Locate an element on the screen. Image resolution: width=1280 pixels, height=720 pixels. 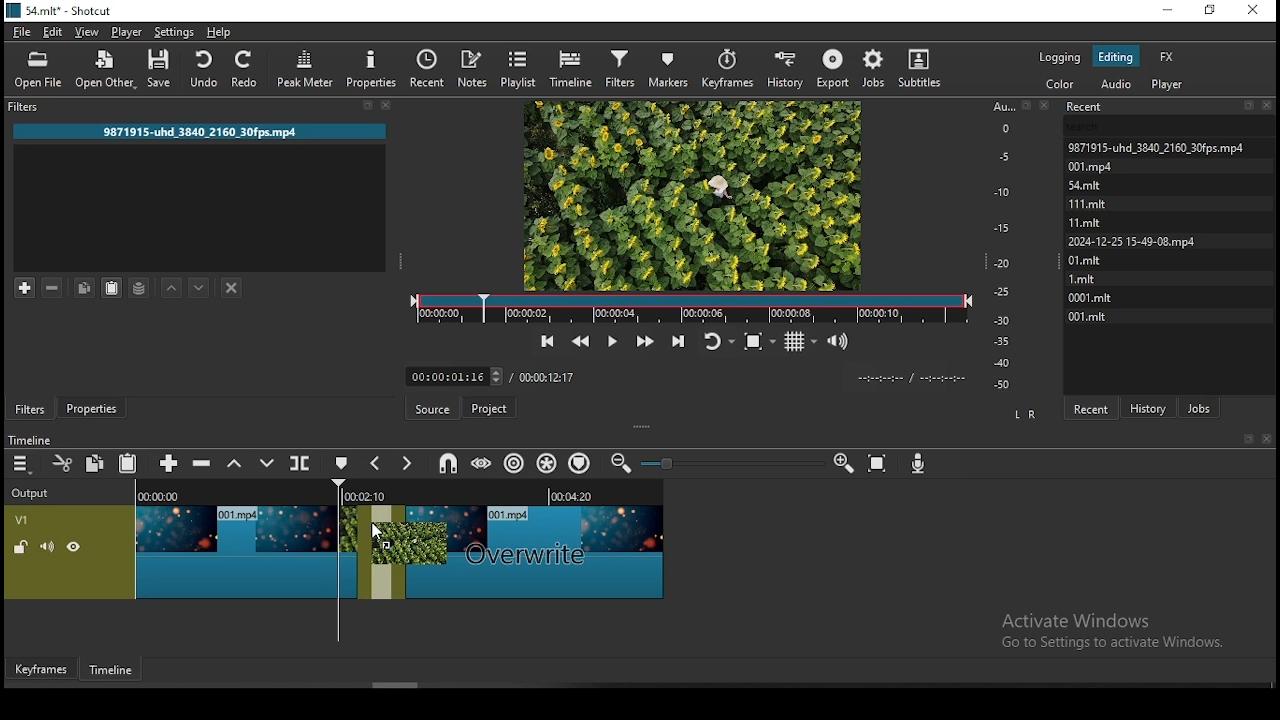
(un)locked is located at coordinates (22, 547).